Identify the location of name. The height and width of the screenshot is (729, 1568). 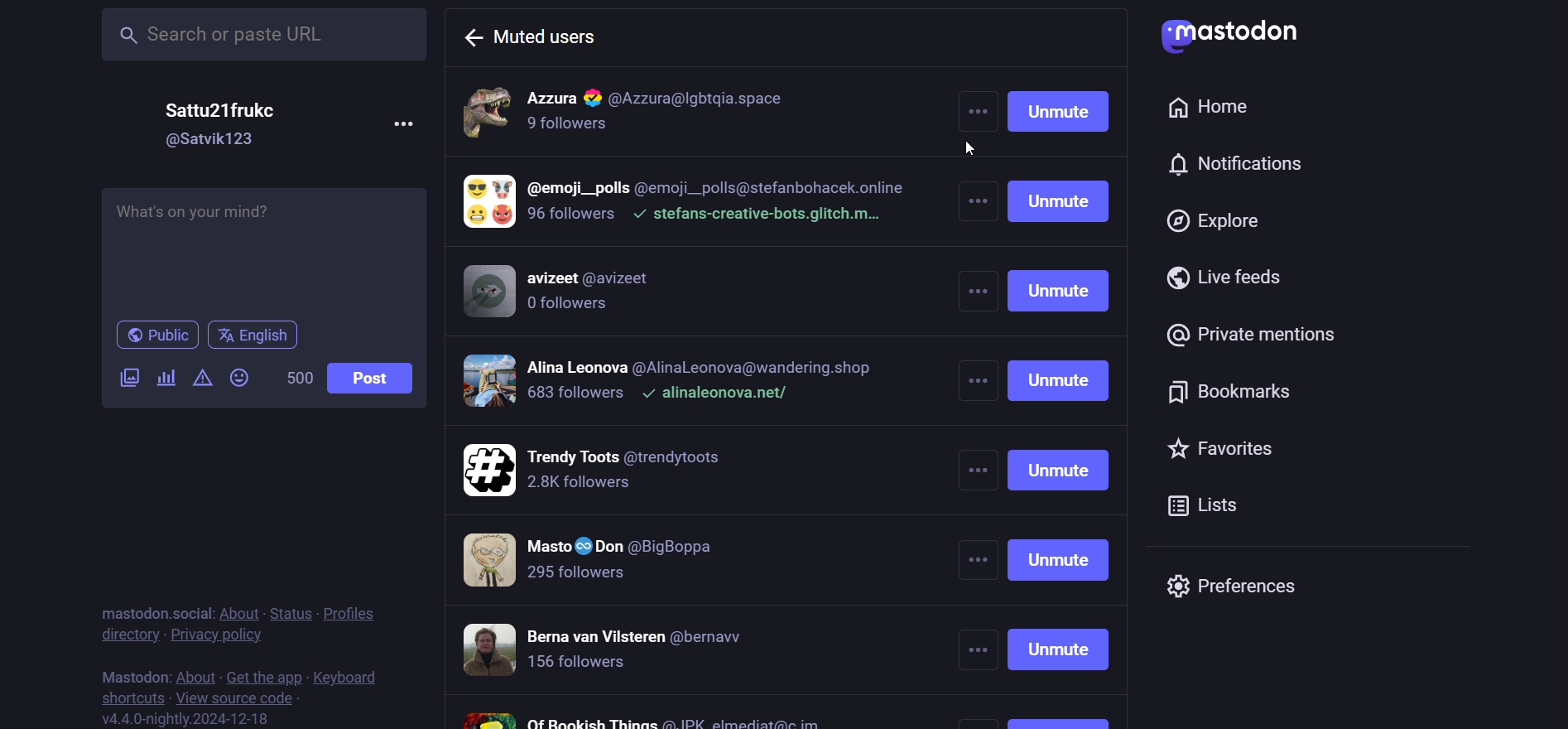
(218, 109).